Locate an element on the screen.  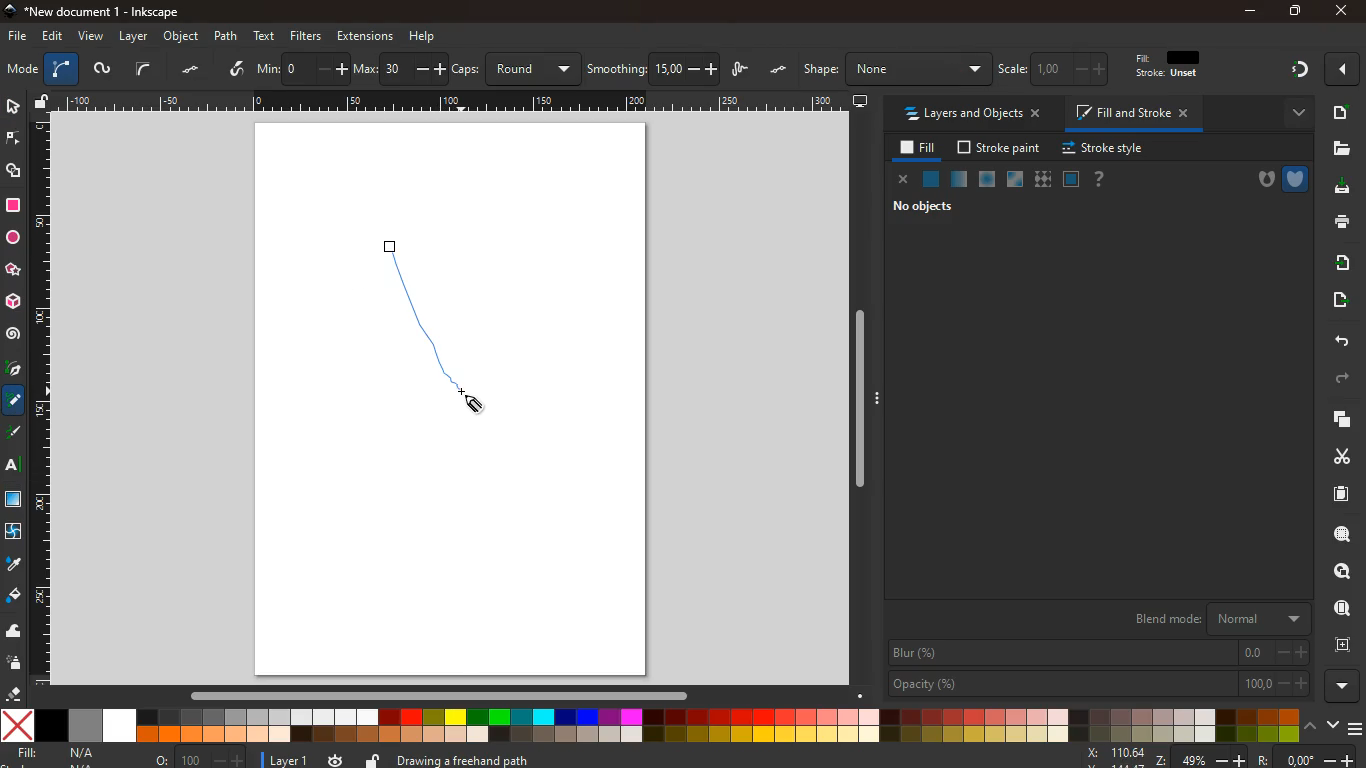
close is located at coordinates (1340, 12).